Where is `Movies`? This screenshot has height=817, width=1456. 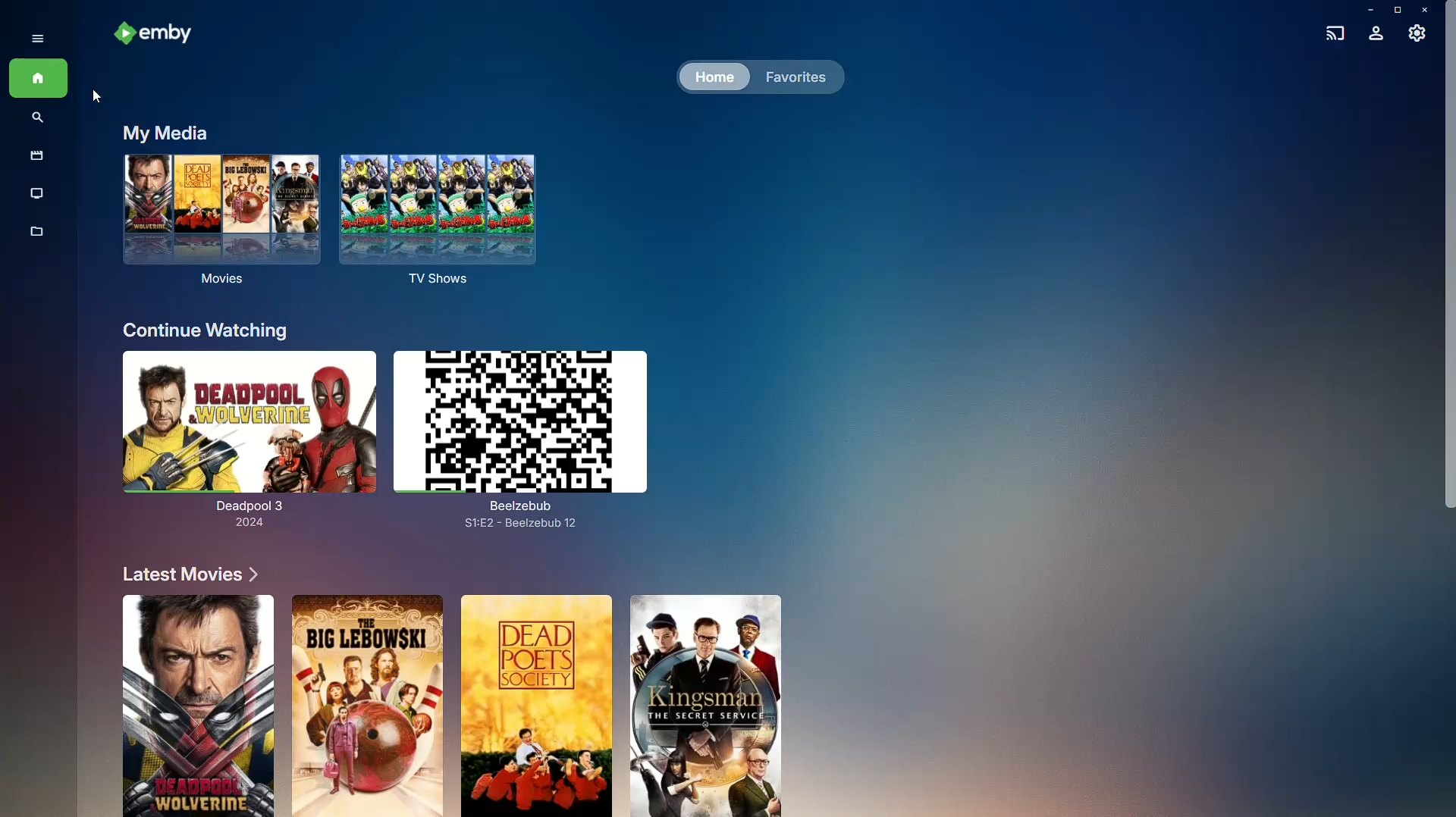 Movies is located at coordinates (33, 157).